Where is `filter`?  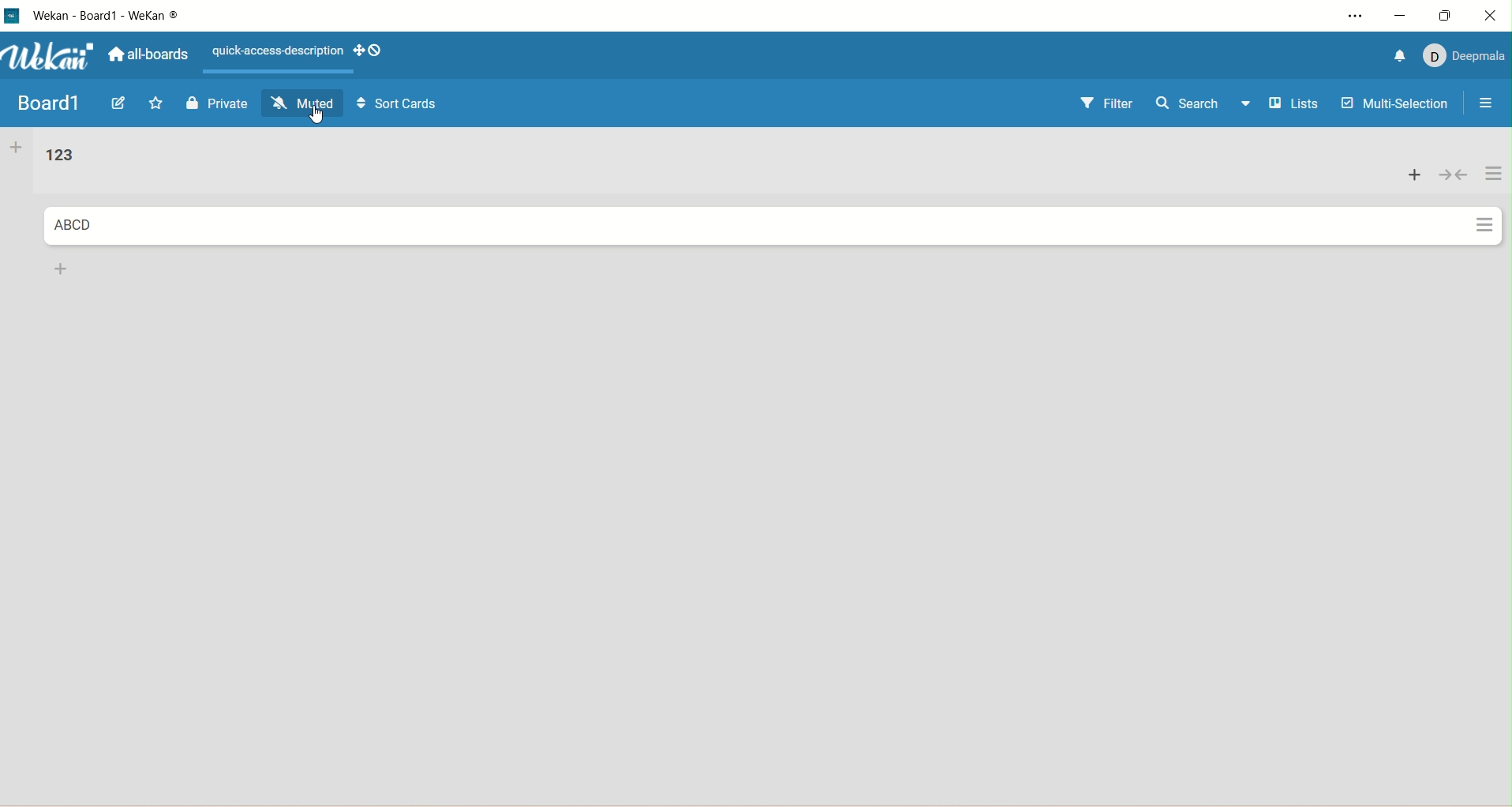
filter is located at coordinates (1107, 104).